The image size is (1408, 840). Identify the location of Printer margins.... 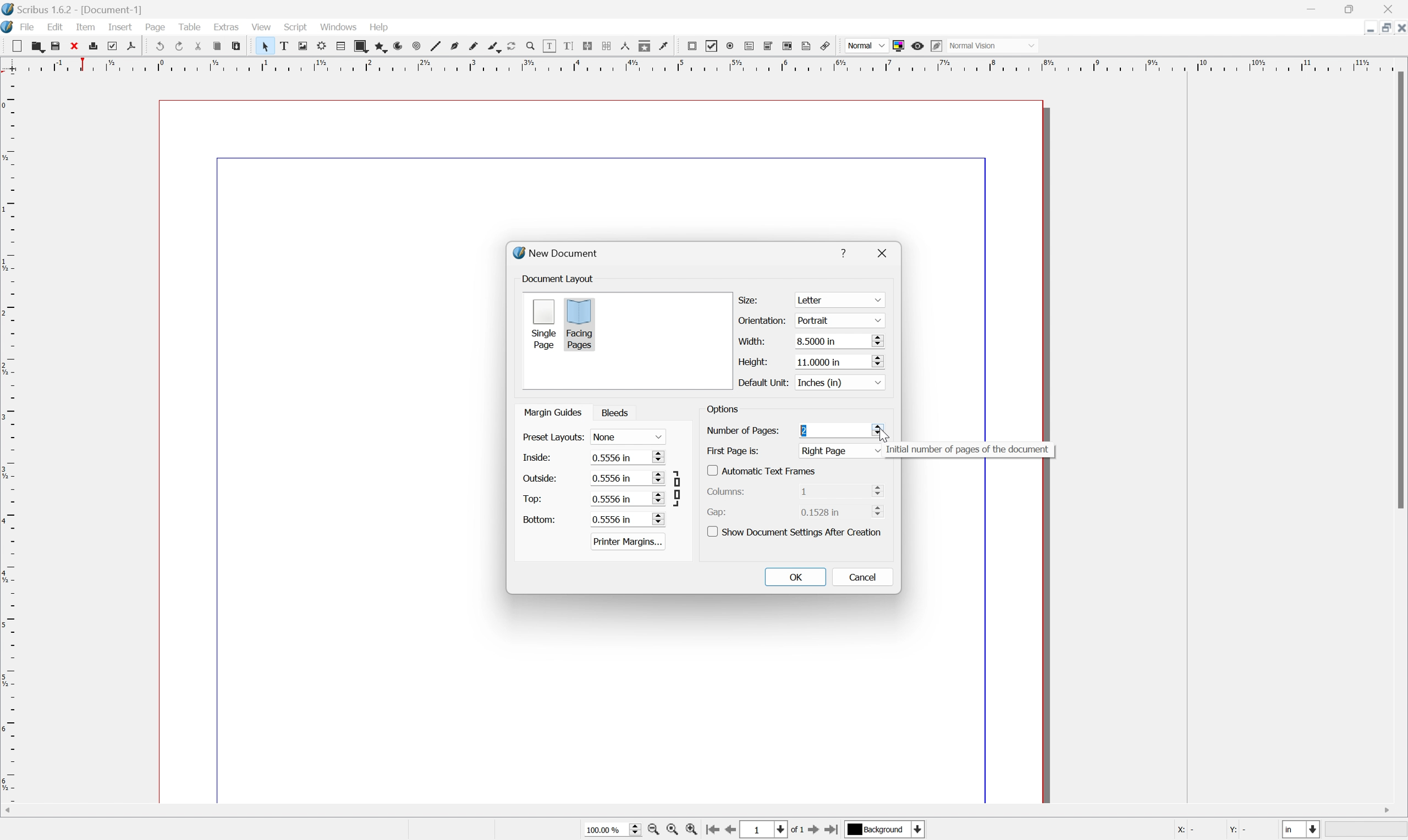
(628, 541).